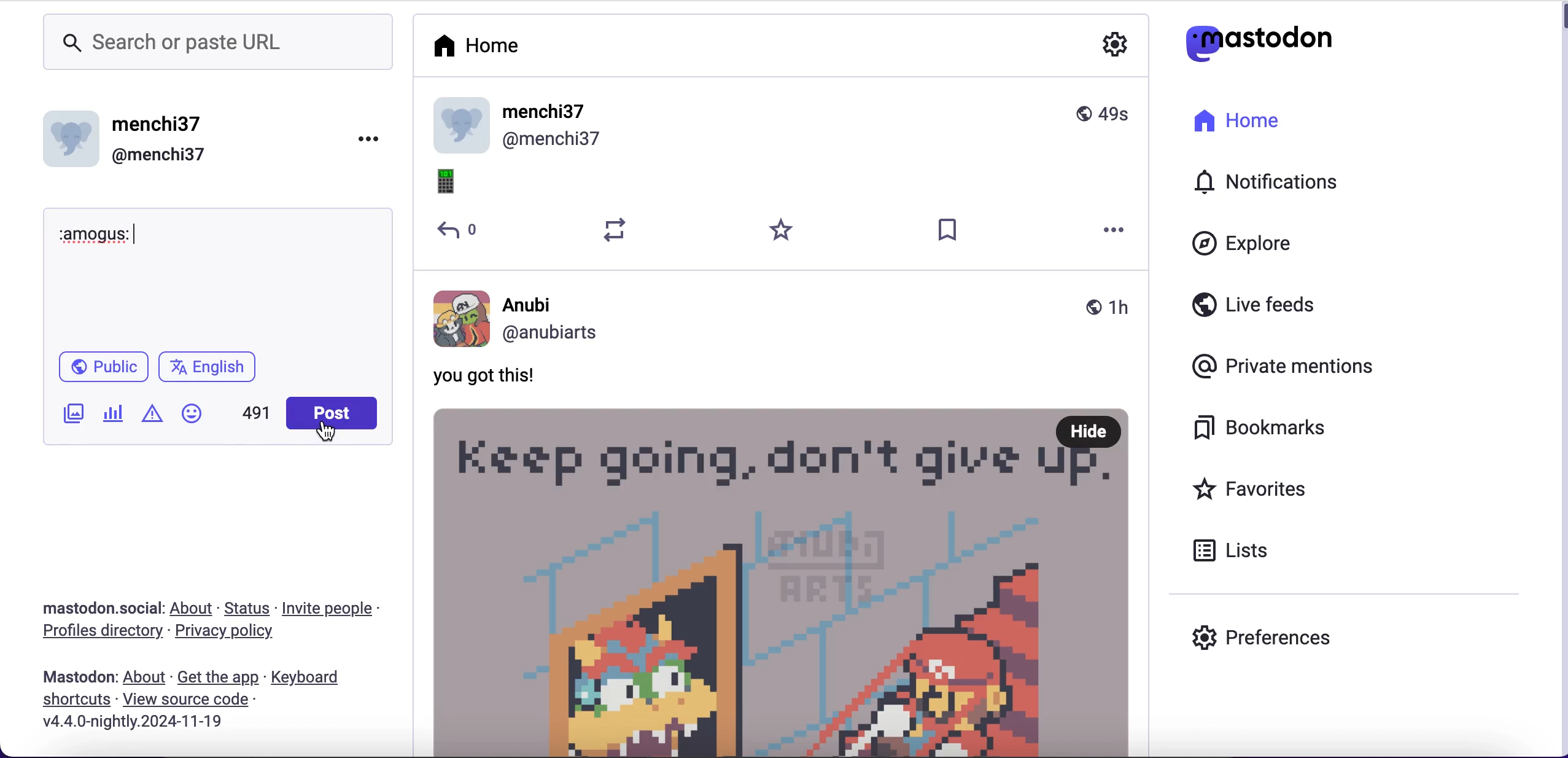  What do you see at coordinates (155, 418) in the screenshot?
I see `add warnings` at bounding box center [155, 418].